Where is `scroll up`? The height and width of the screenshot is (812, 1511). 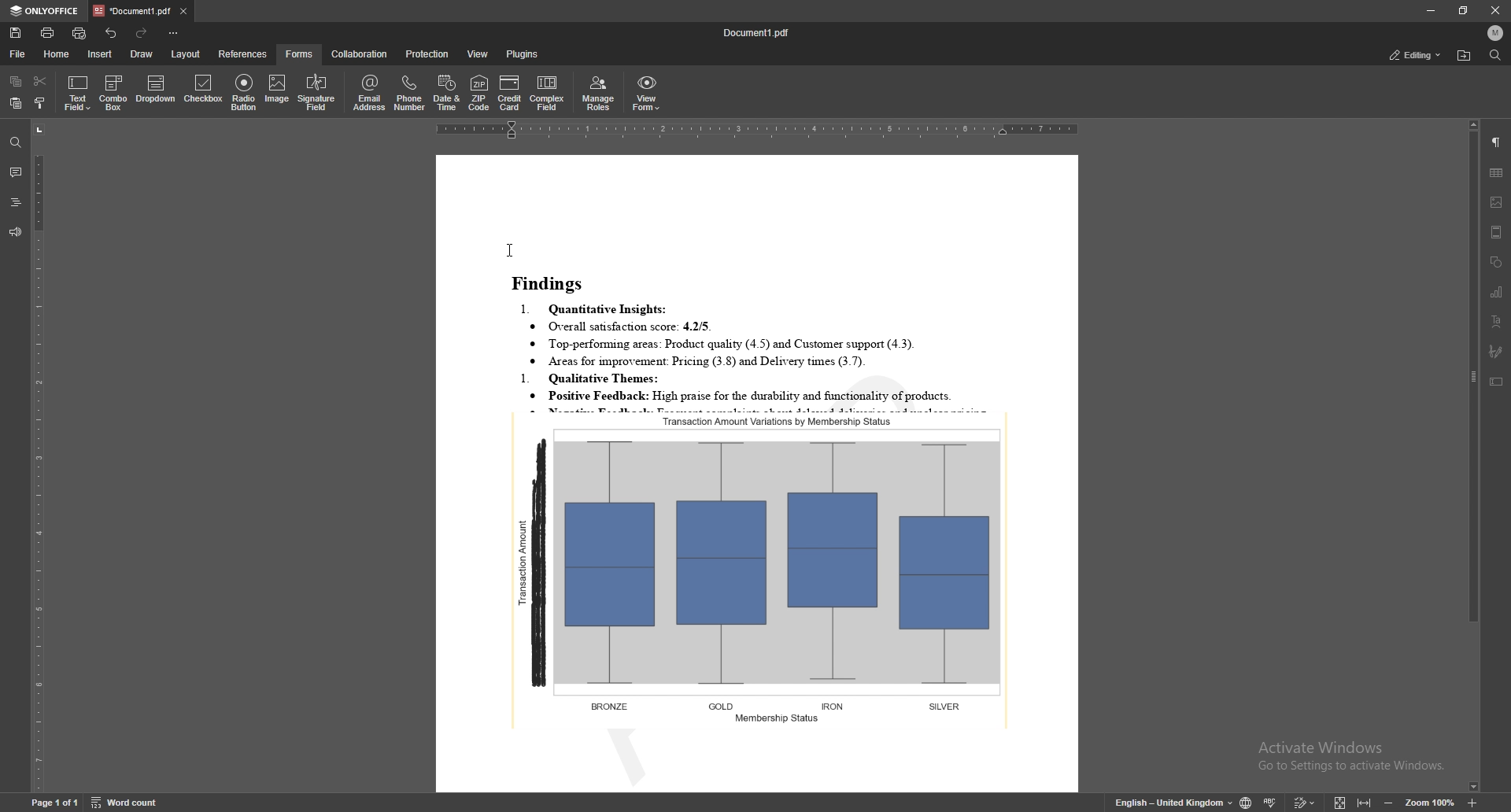
scroll up is located at coordinates (1472, 125).